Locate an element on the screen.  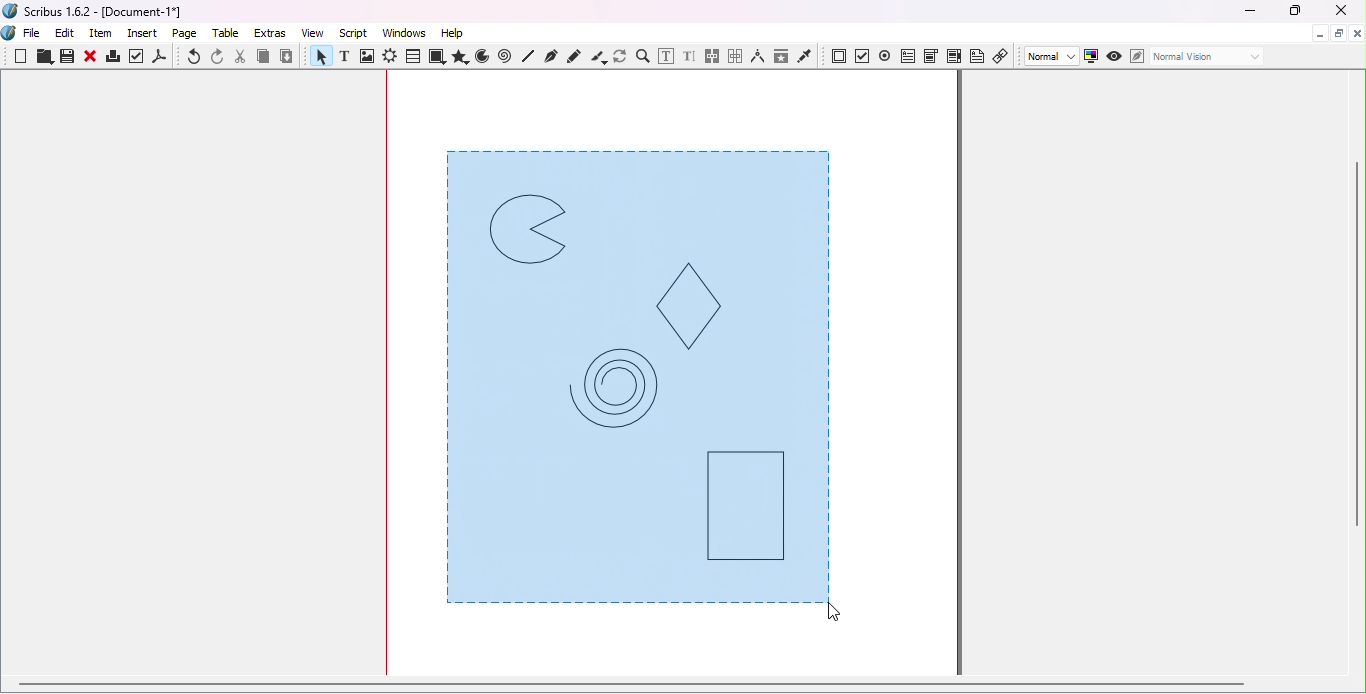
Edit text with story editor is located at coordinates (689, 57).